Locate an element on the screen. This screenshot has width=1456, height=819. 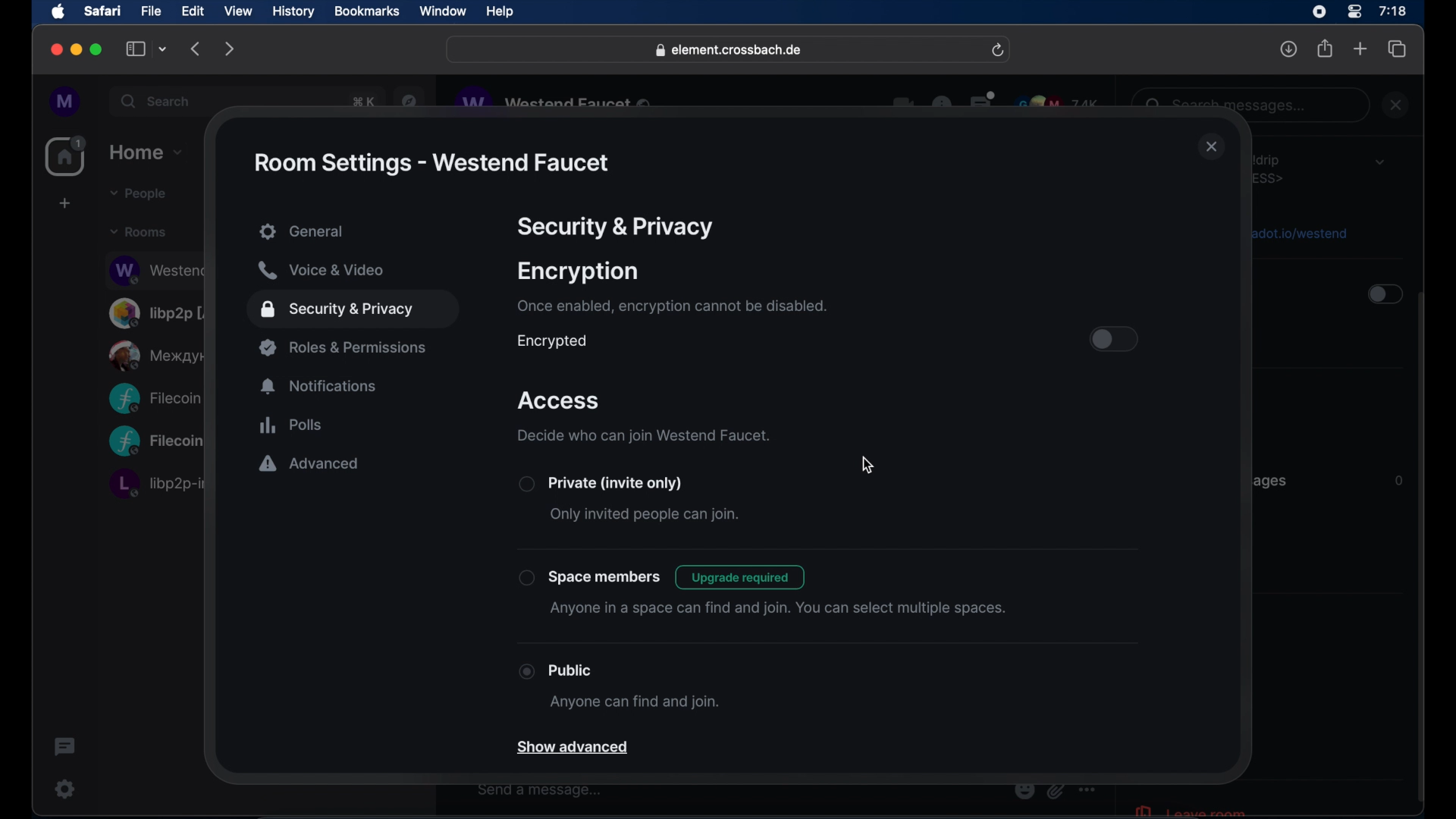
profile is located at coordinates (66, 102).